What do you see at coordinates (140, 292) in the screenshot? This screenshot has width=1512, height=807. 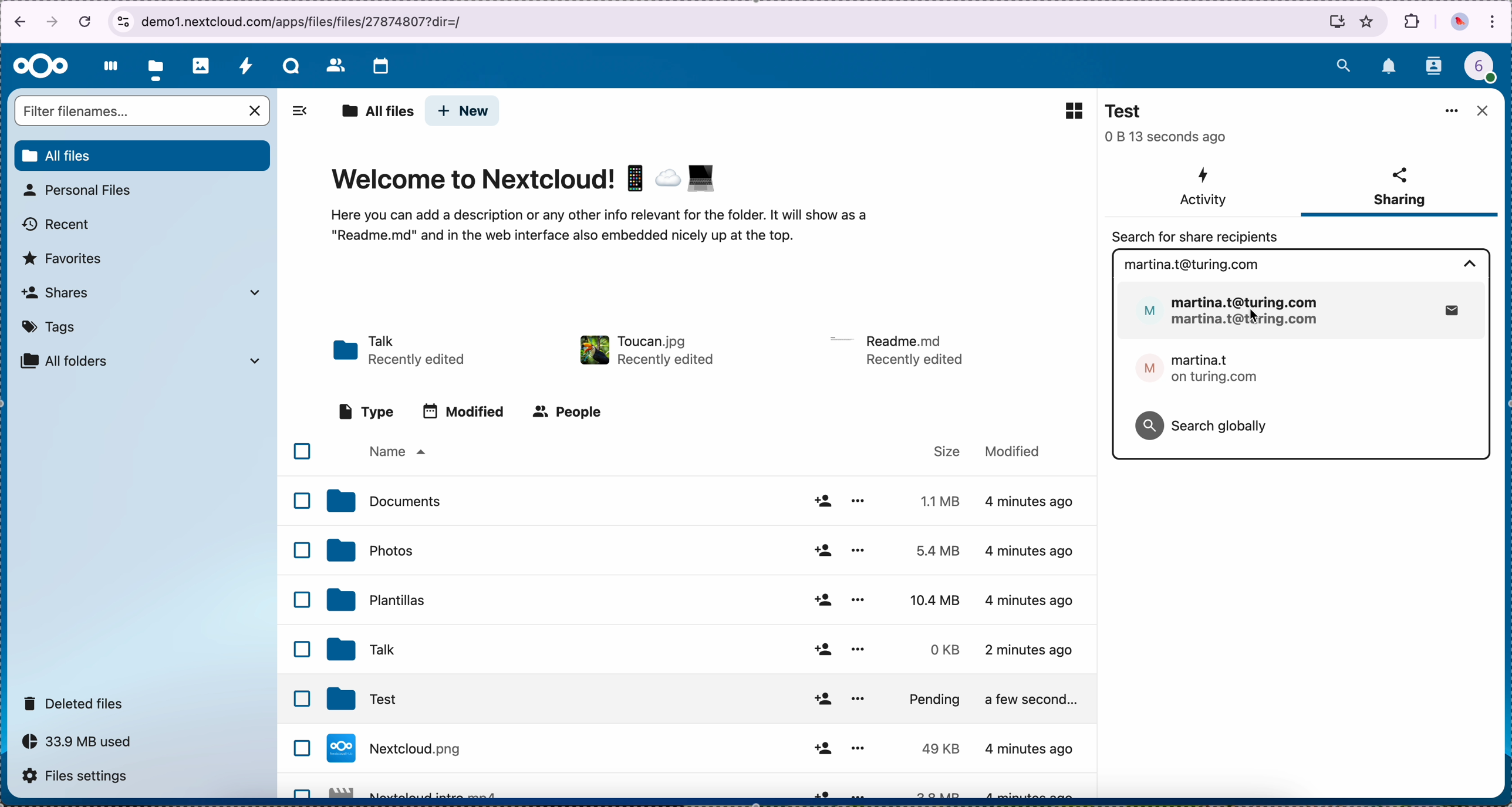 I see `shares` at bounding box center [140, 292].